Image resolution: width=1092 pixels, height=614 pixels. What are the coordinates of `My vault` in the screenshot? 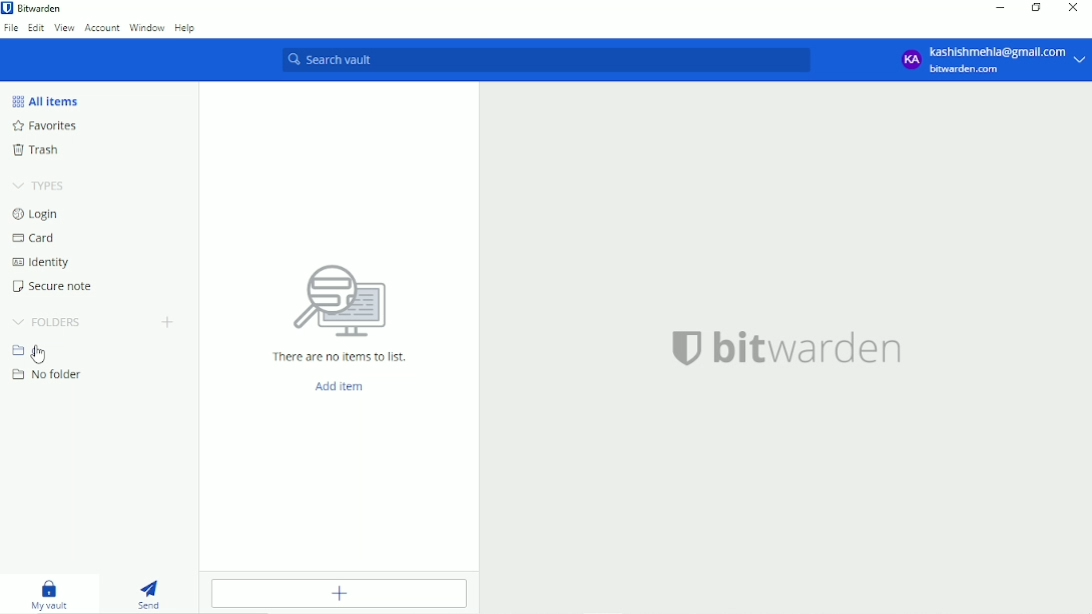 It's located at (51, 596).